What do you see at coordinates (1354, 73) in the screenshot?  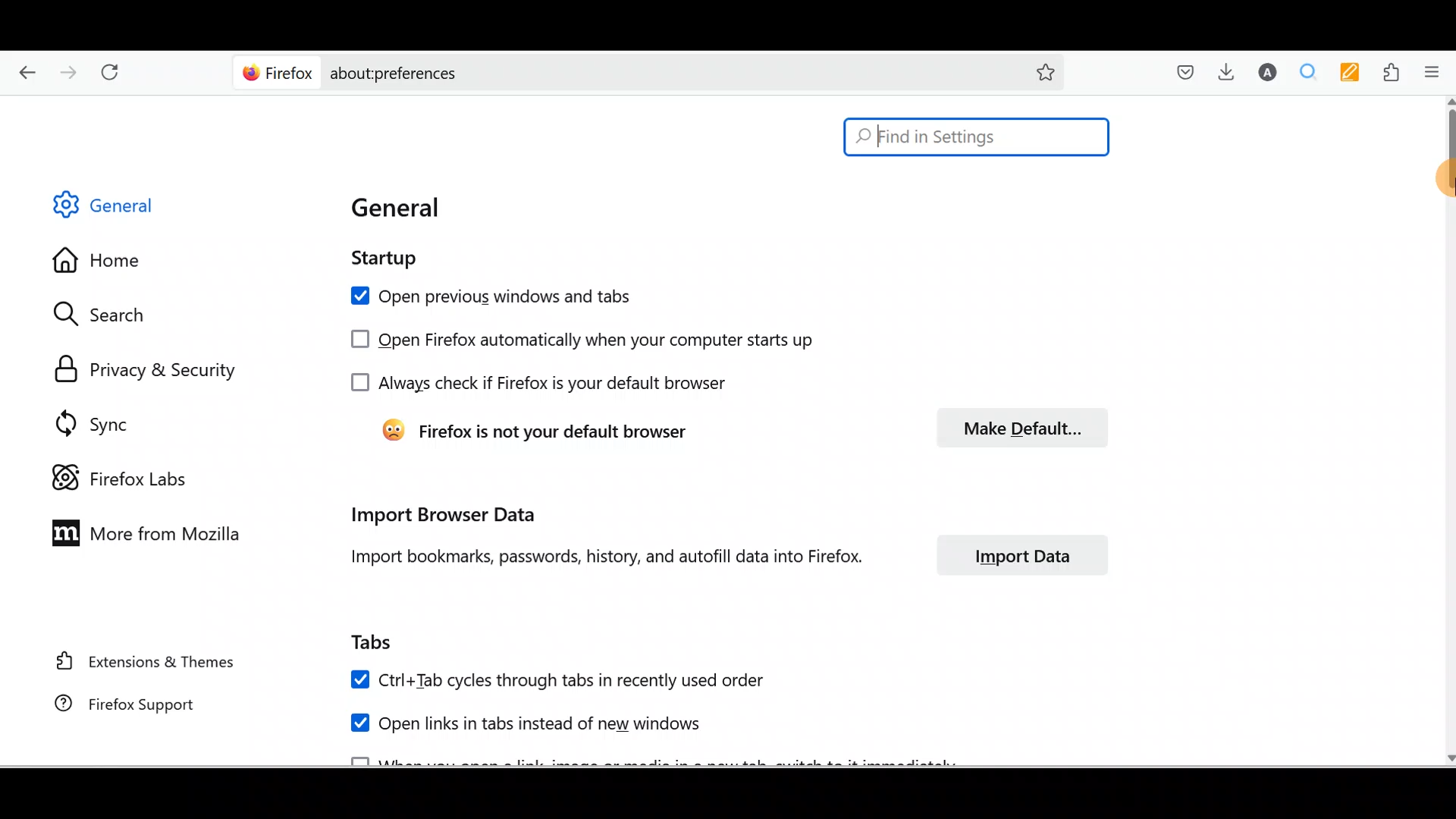 I see `Multi keywords highlighter` at bounding box center [1354, 73].